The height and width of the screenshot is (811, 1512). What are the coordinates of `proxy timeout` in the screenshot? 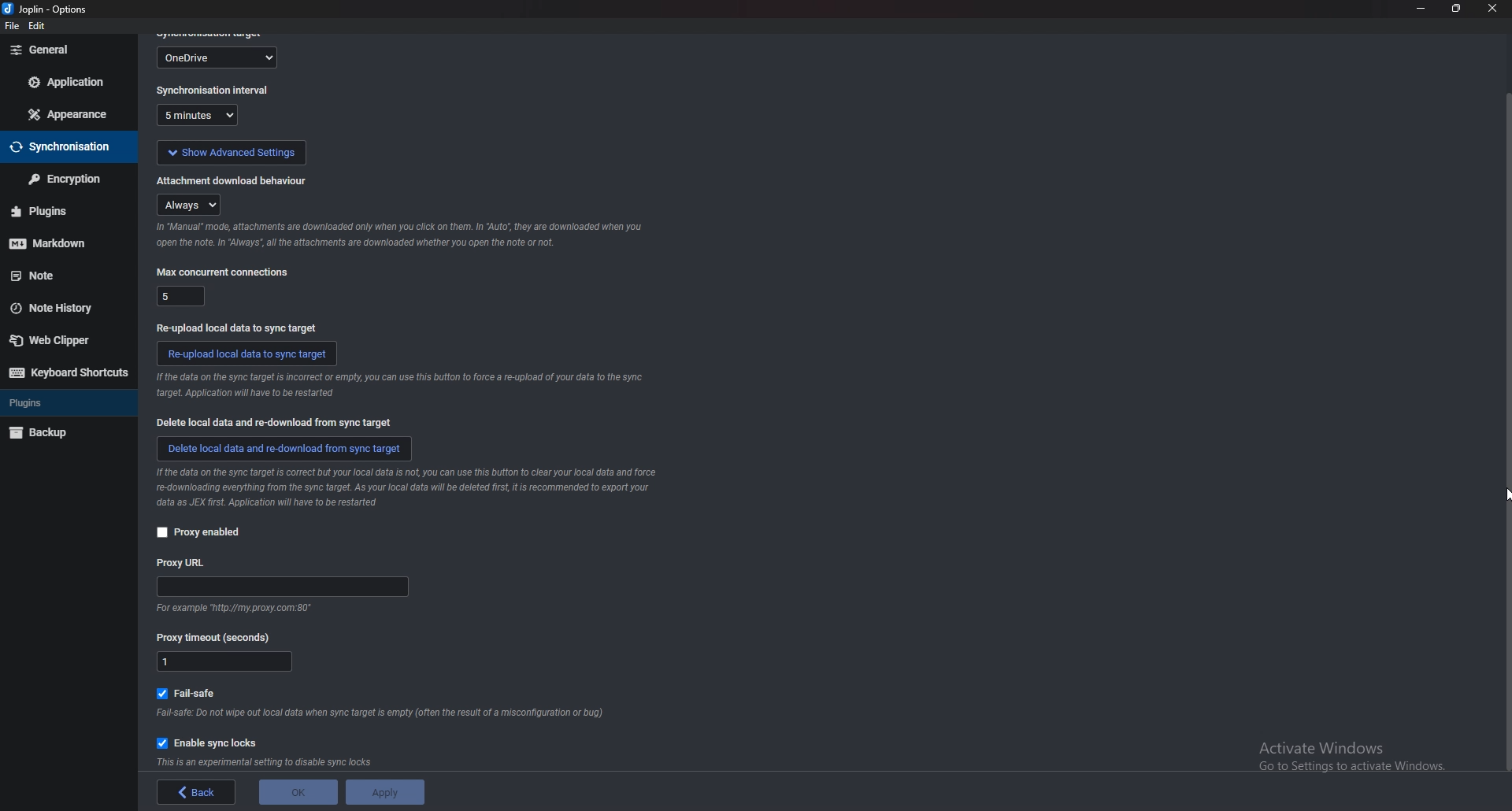 It's located at (220, 637).